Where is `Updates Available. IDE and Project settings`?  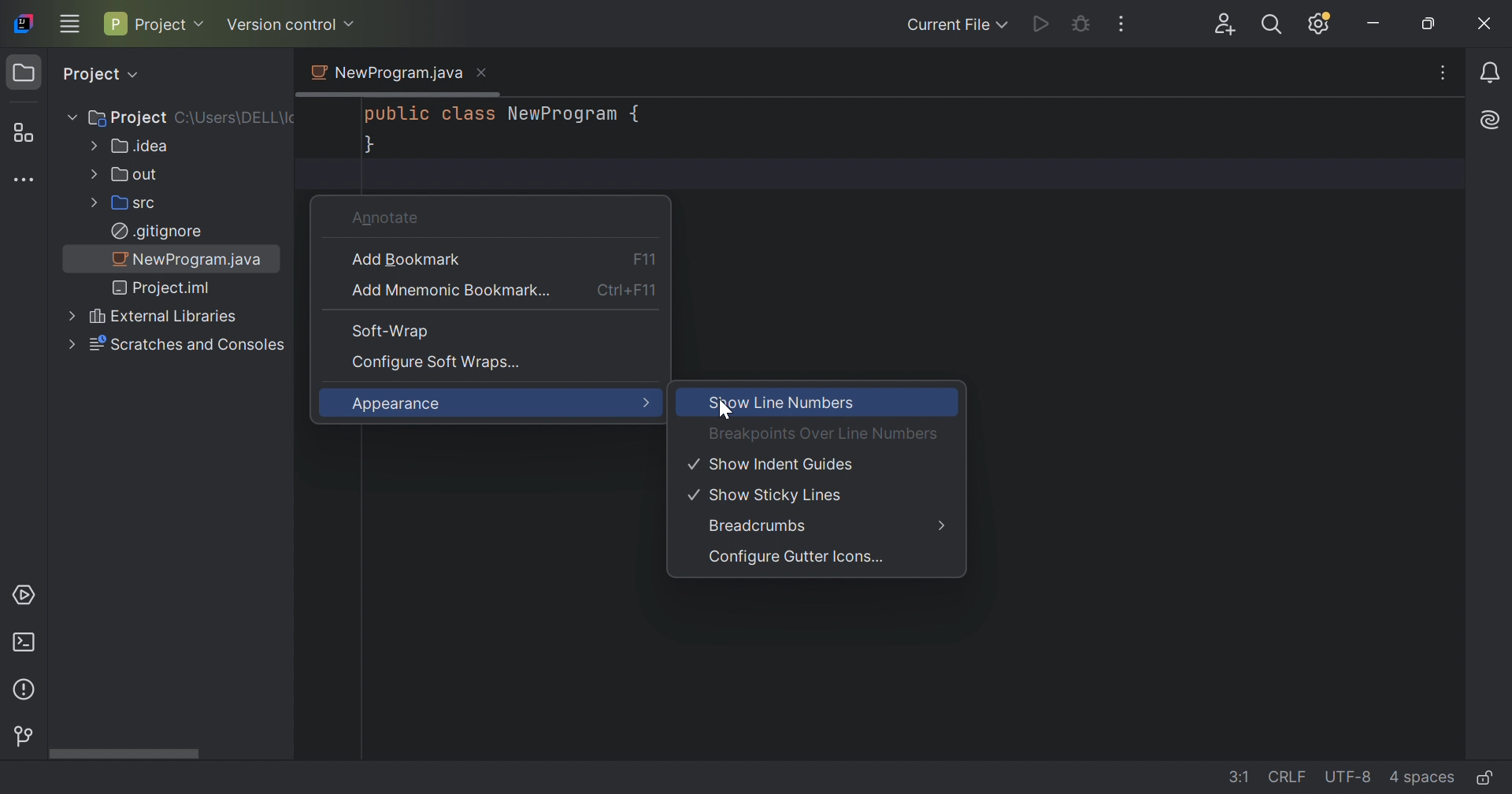 Updates Available. IDE and Project settings is located at coordinates (1321, 25).